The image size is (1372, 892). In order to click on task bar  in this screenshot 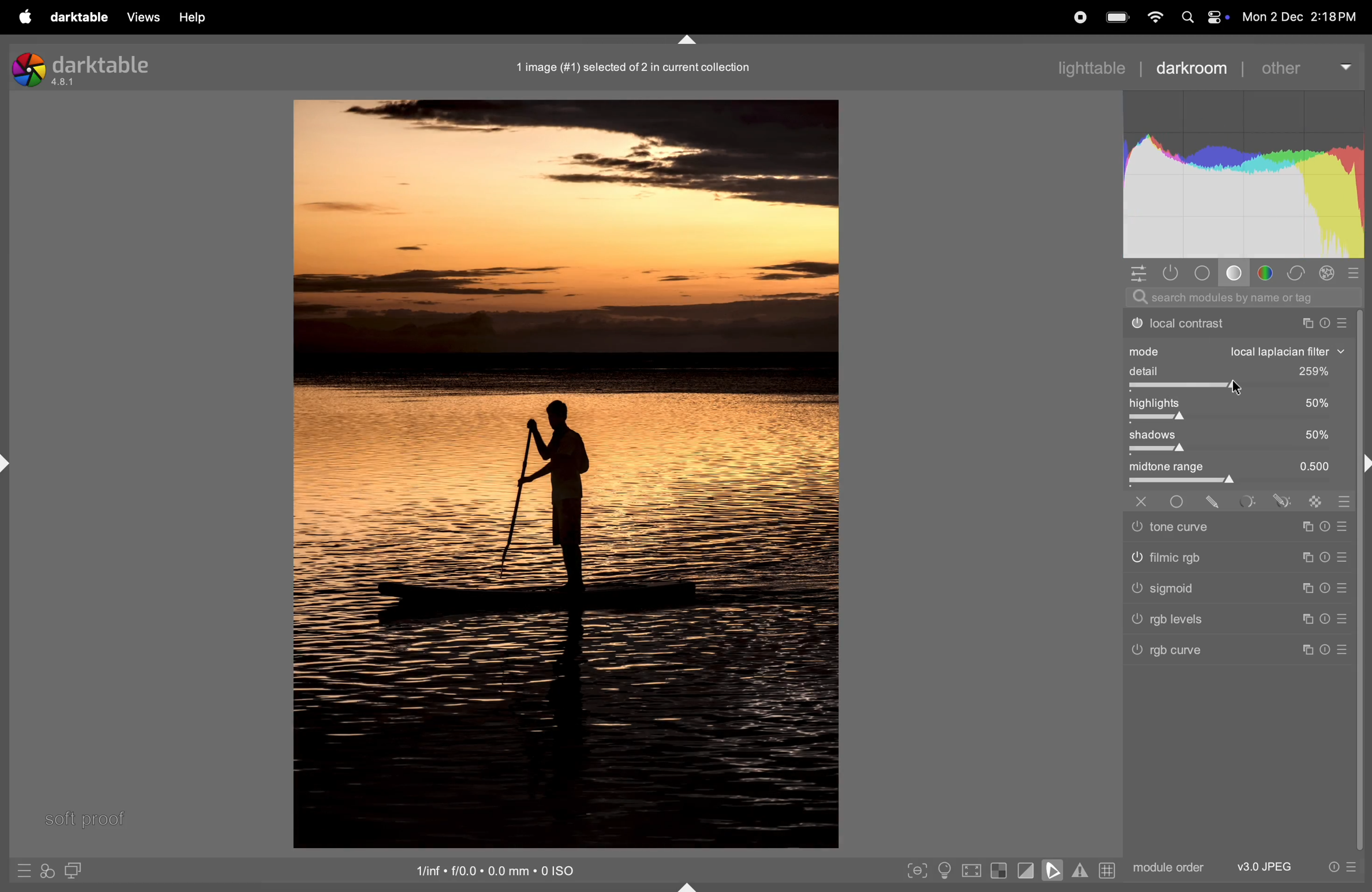, I will do `click(1363, 582)`.